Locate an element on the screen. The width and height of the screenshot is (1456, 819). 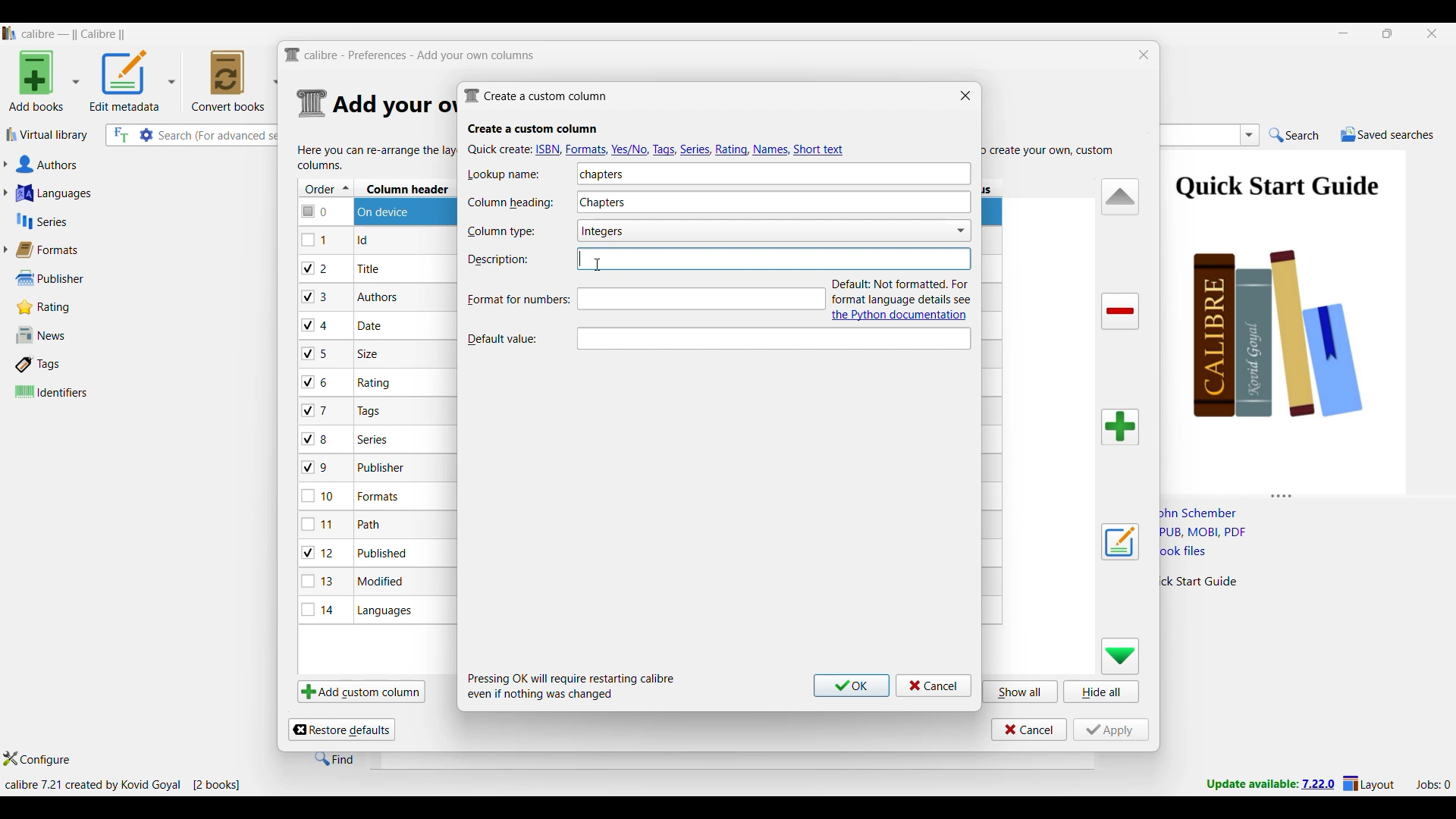
Authors is located at coordinates (120, 165).